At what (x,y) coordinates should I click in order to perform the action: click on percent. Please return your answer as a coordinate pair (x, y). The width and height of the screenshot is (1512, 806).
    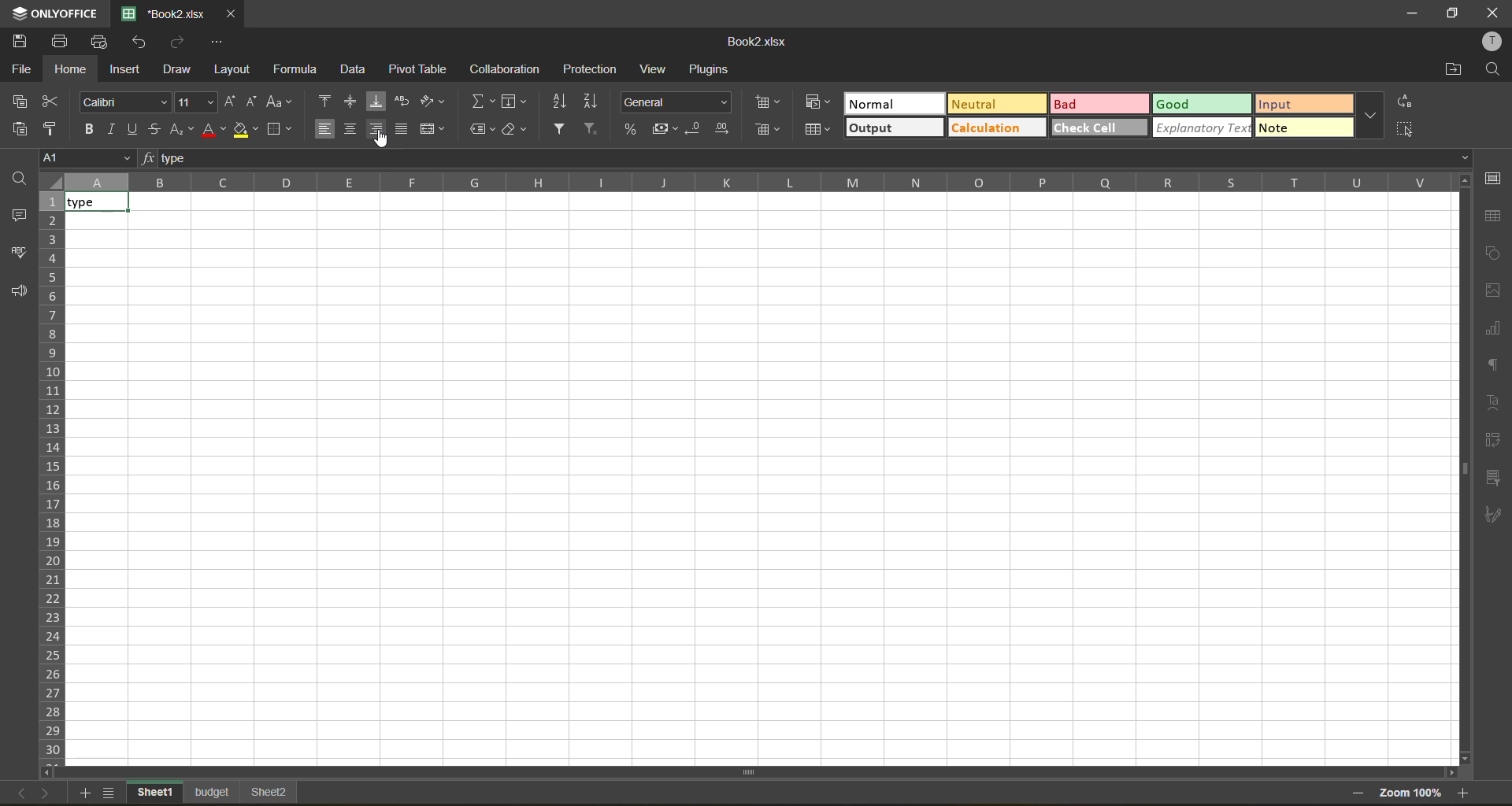
    Looking at the image, I should click on (634, 130).